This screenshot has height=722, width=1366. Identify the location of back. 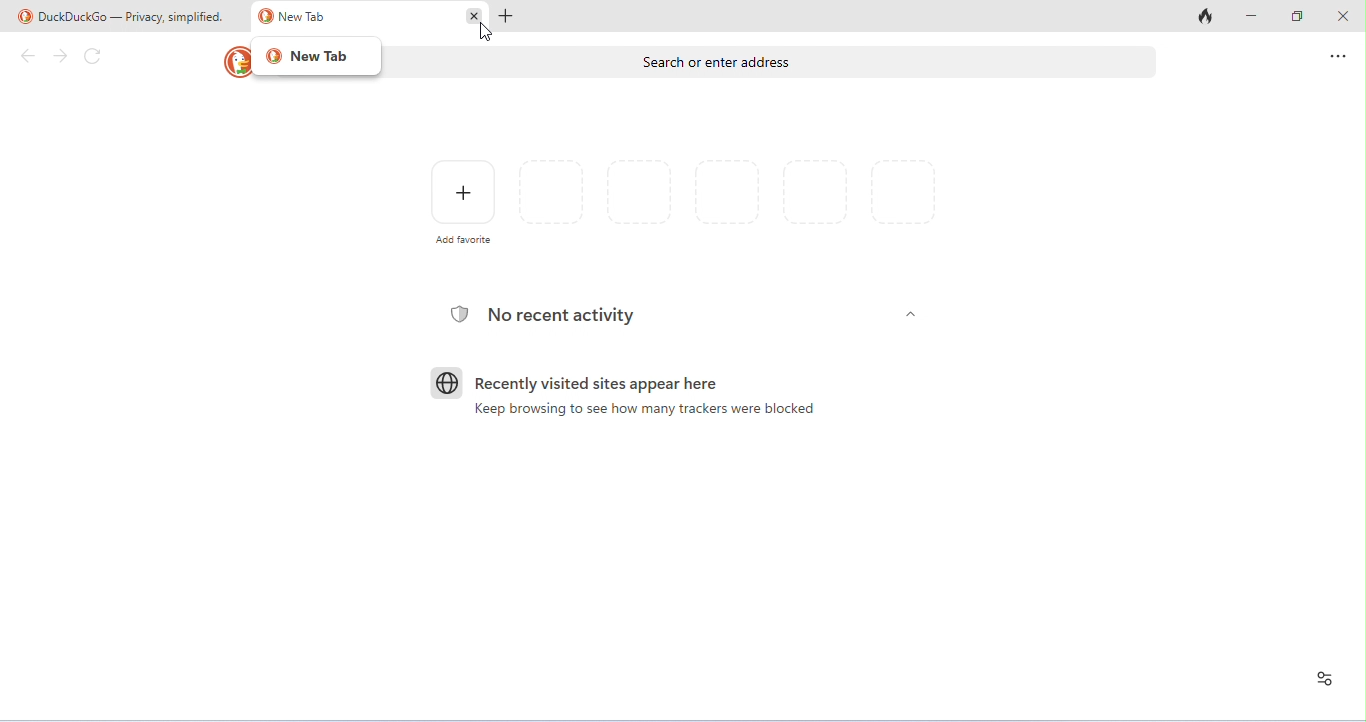
(26, 56).